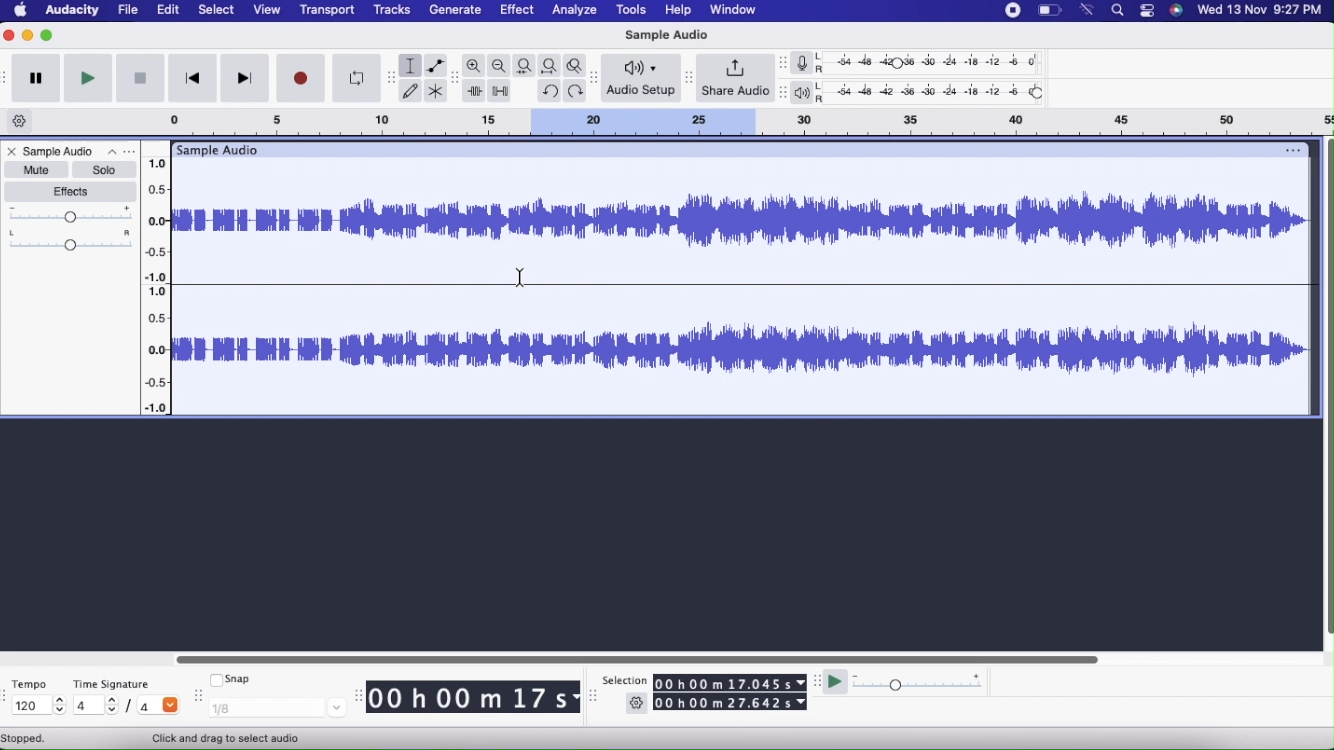 Image resolution: width=1334 pixels, height=750 pixels. What do you see at coordinates (392, 77) in the screenshot?
I see `move toolbar` at bounding box center [392, 77].